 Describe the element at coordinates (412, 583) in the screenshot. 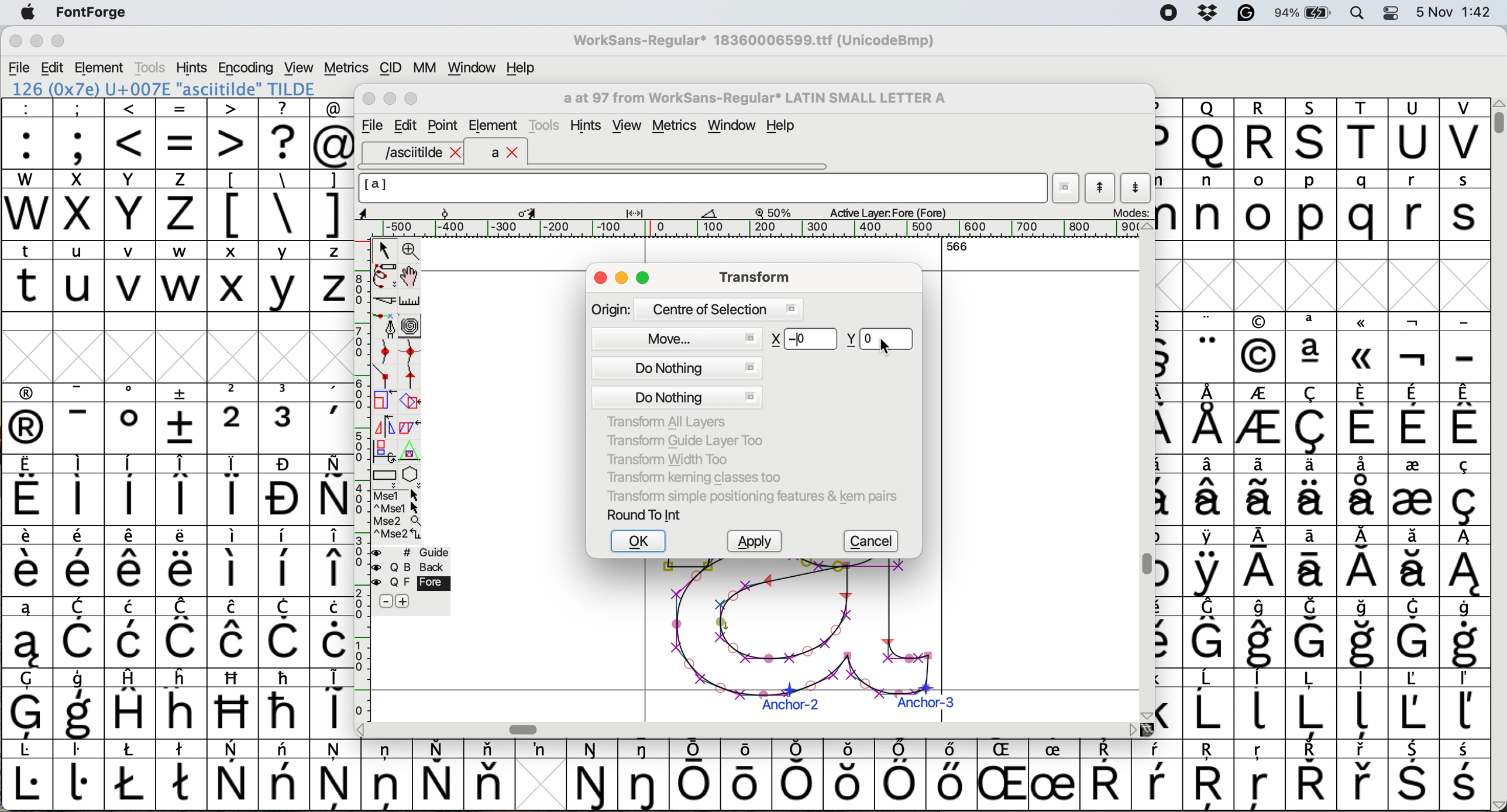

I see `fore` at that location.